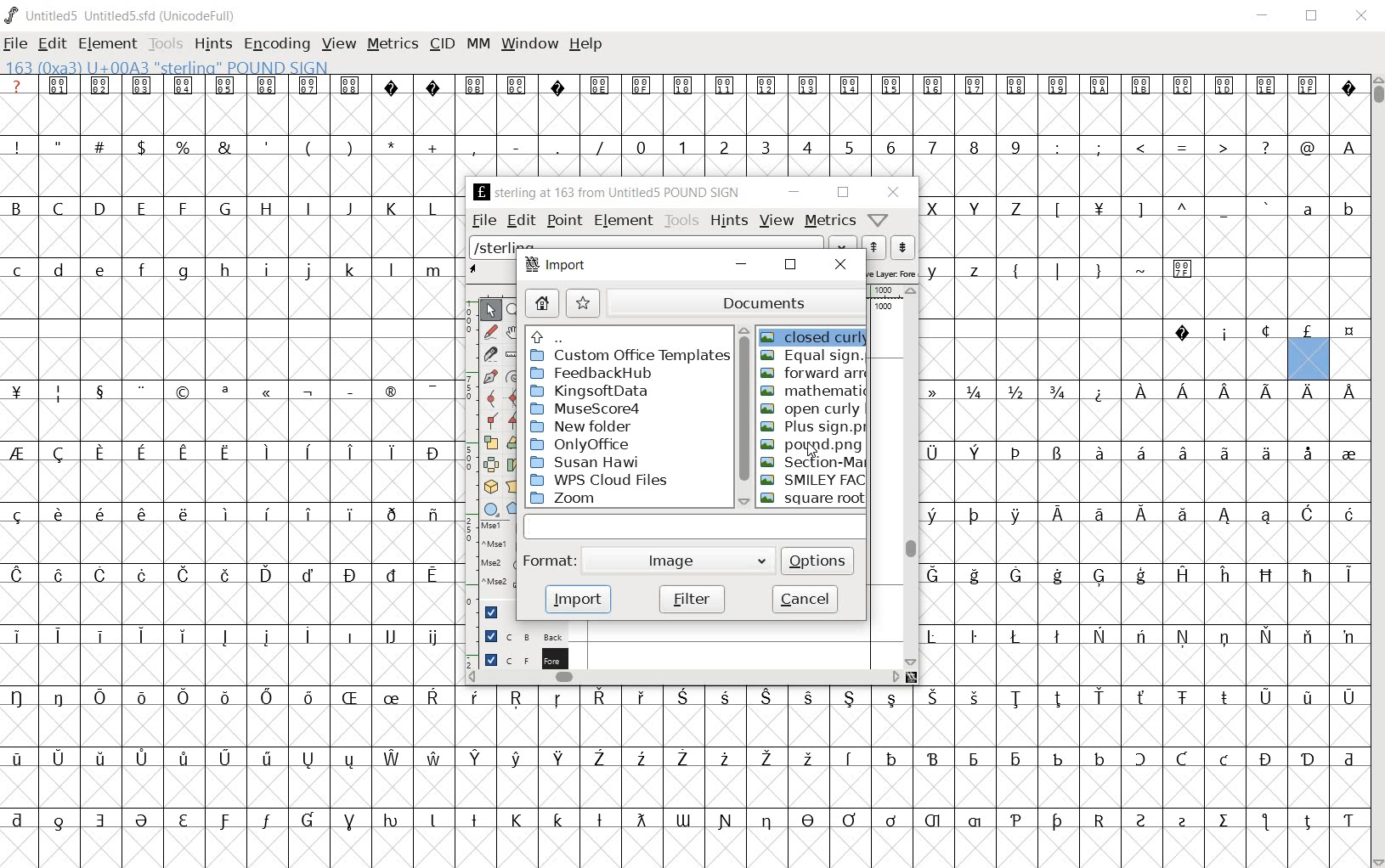 This screenshot has height=868, width=1385. I want to click on Symbol, so click(98, 391).